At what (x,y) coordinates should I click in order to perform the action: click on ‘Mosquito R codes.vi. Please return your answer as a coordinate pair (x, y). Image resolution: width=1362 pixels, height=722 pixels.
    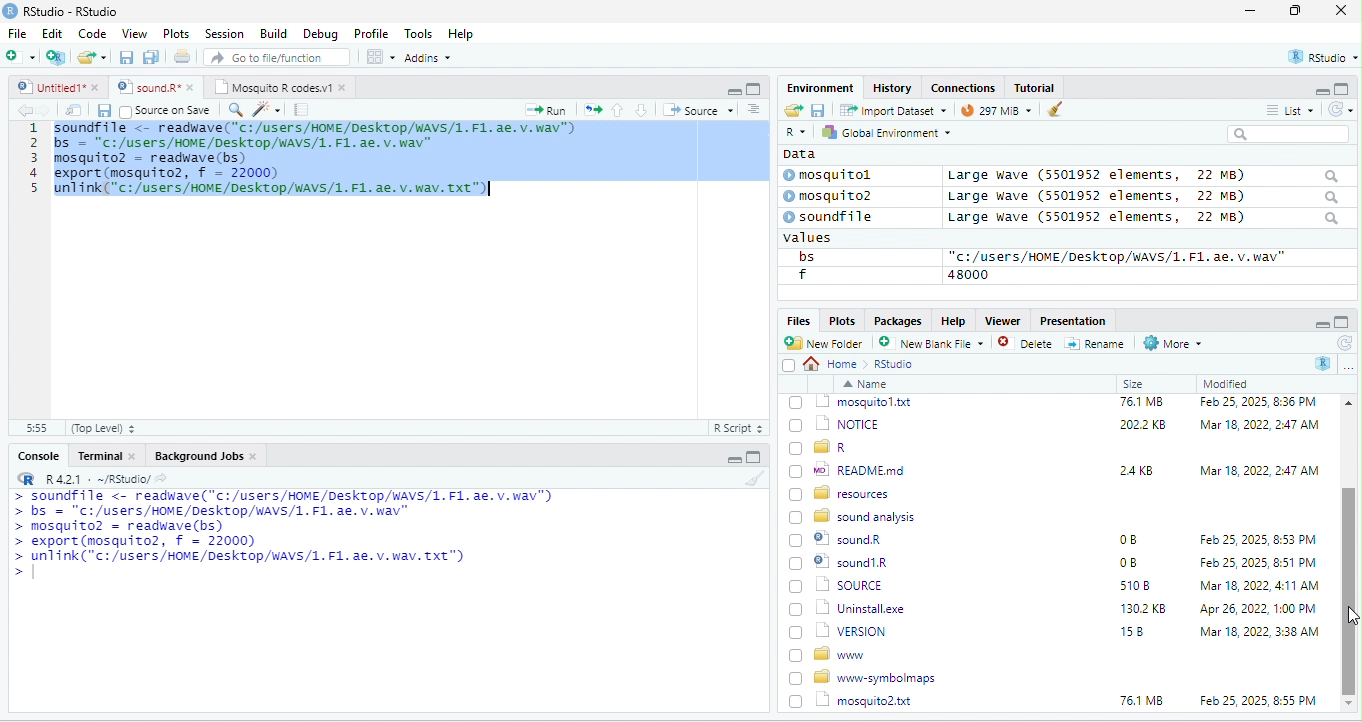
    Looking at the image, I should click on (150, 87).